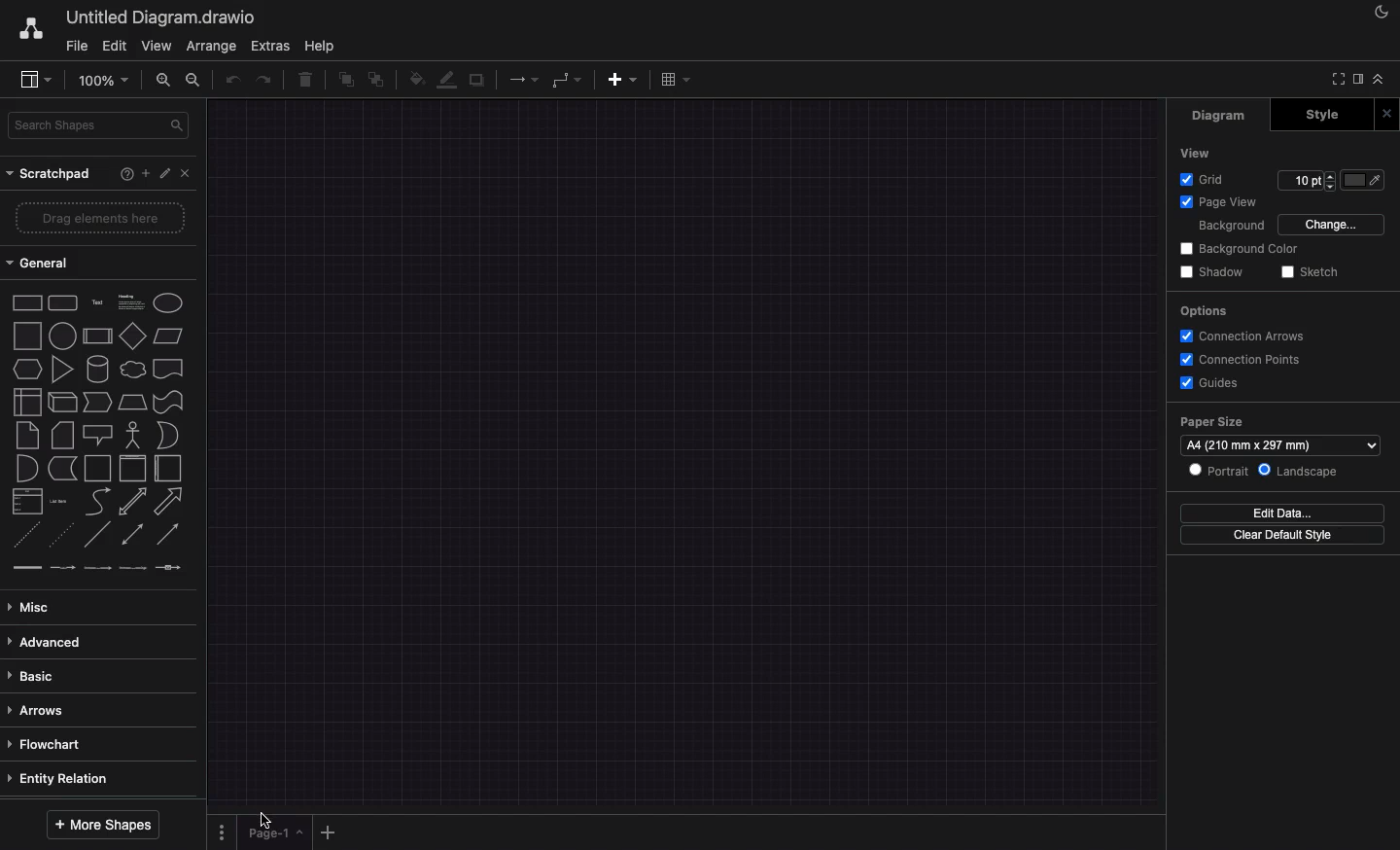 Image resolution: width=1400 pixels, height=850 pixels. I want to click on close, so click(1387, 113).